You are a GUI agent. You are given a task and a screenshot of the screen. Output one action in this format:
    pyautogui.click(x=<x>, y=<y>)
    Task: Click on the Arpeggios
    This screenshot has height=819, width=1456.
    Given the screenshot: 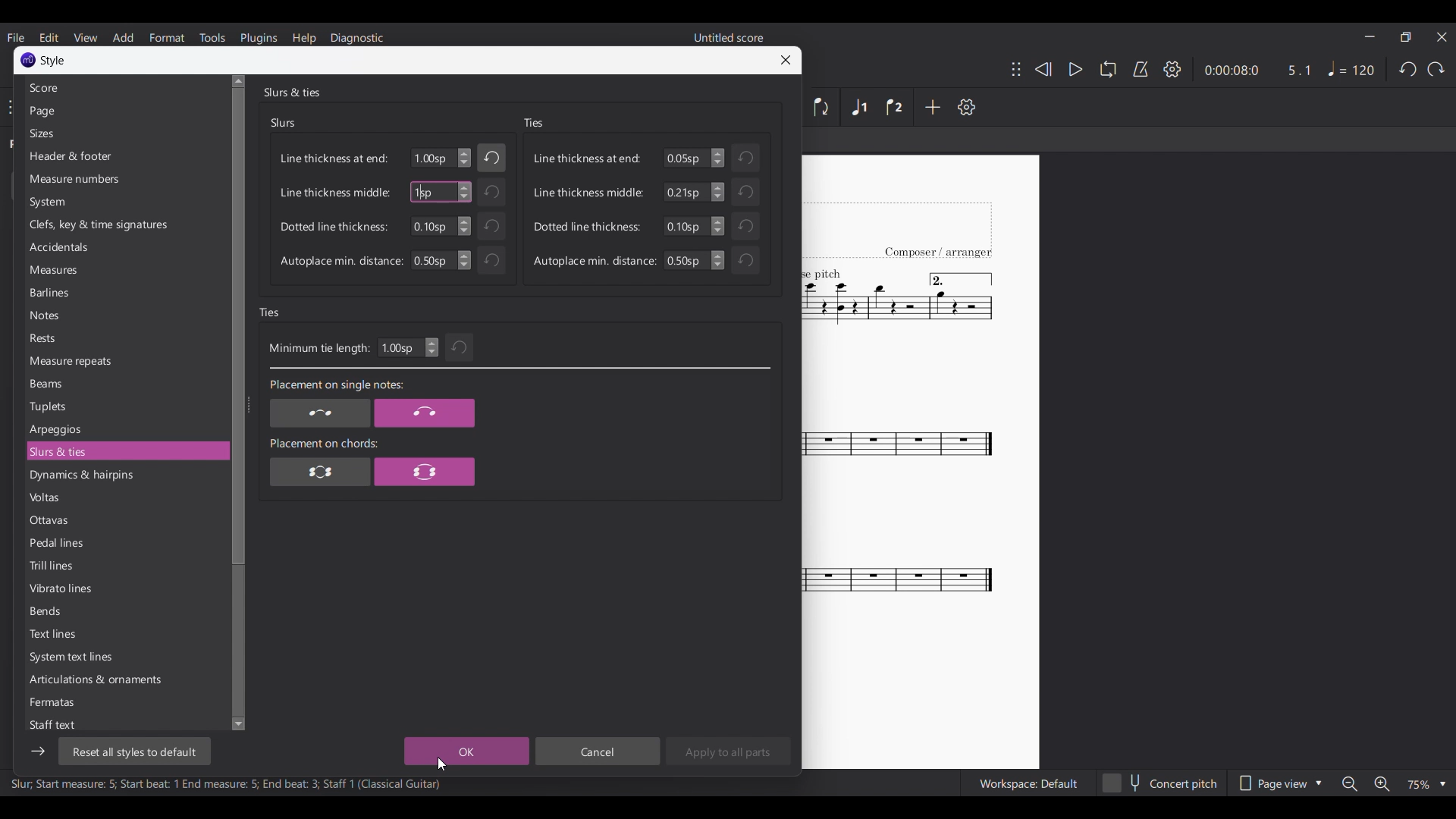 What is the action you would take?
    pyautogui.click(x=125, y=429)
    